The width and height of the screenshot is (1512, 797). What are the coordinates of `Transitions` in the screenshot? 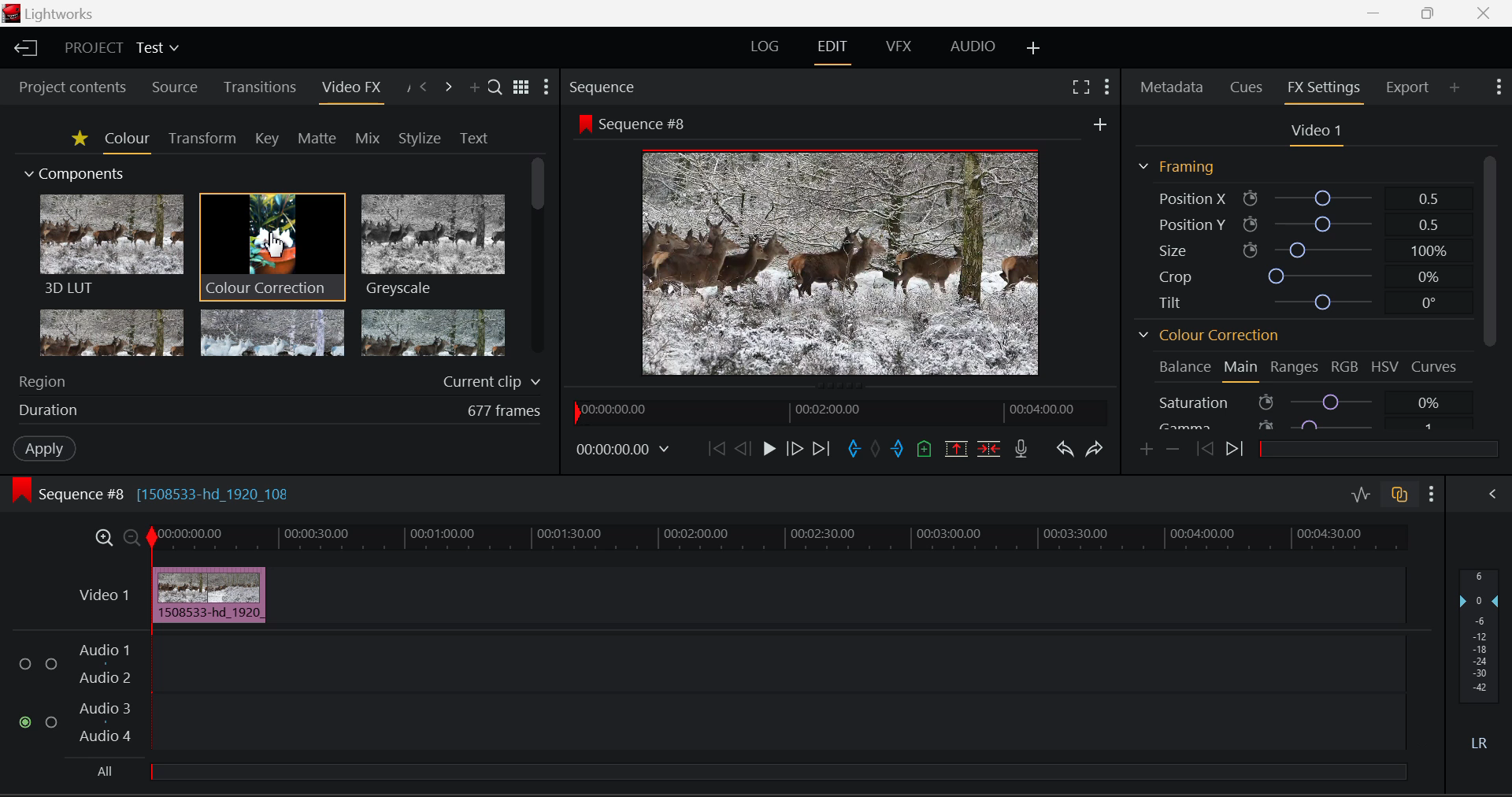 It's located at (260, 87).